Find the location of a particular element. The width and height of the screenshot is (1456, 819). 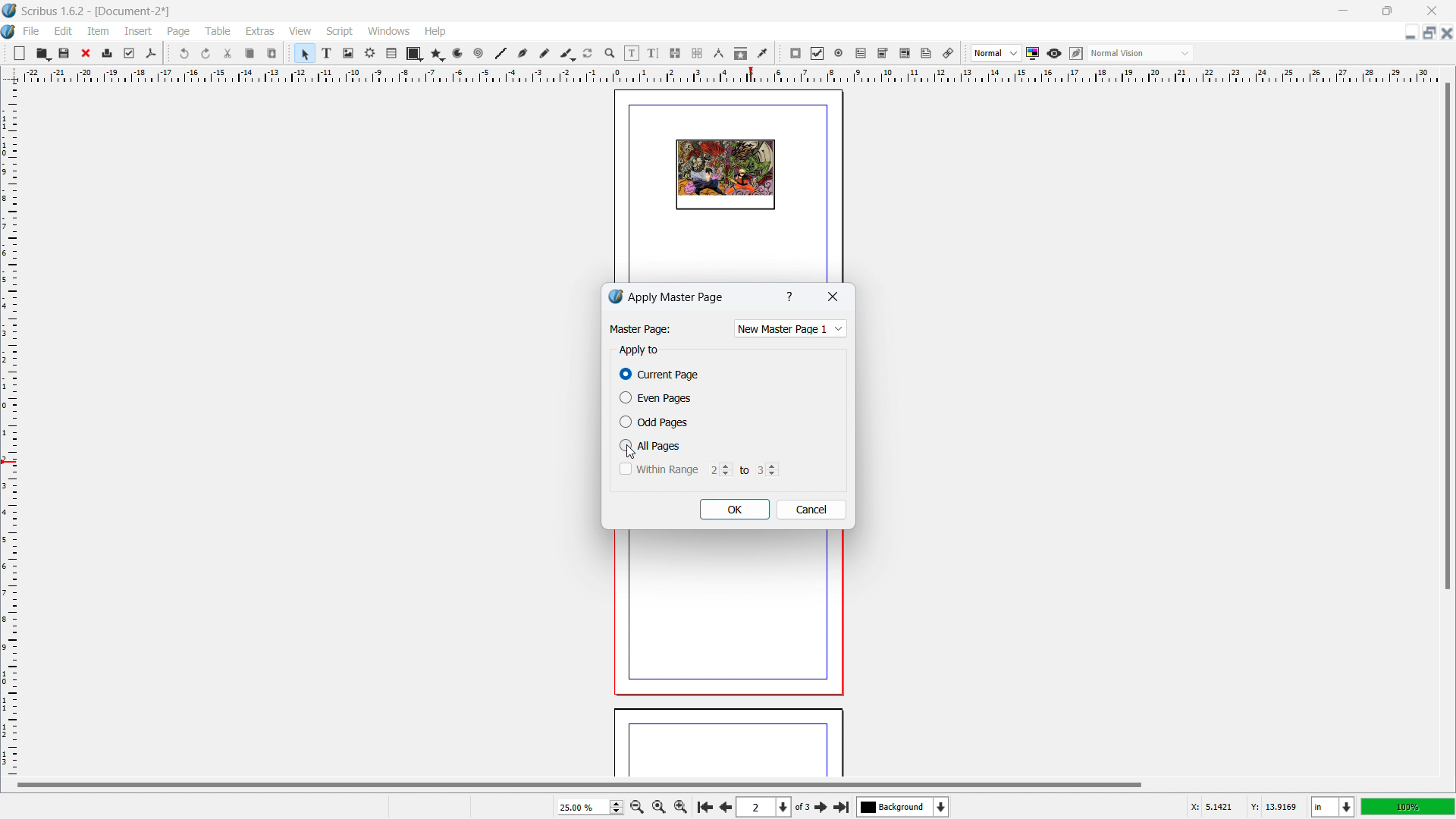

cursor coordinate is located at coordinates (1243, 805).